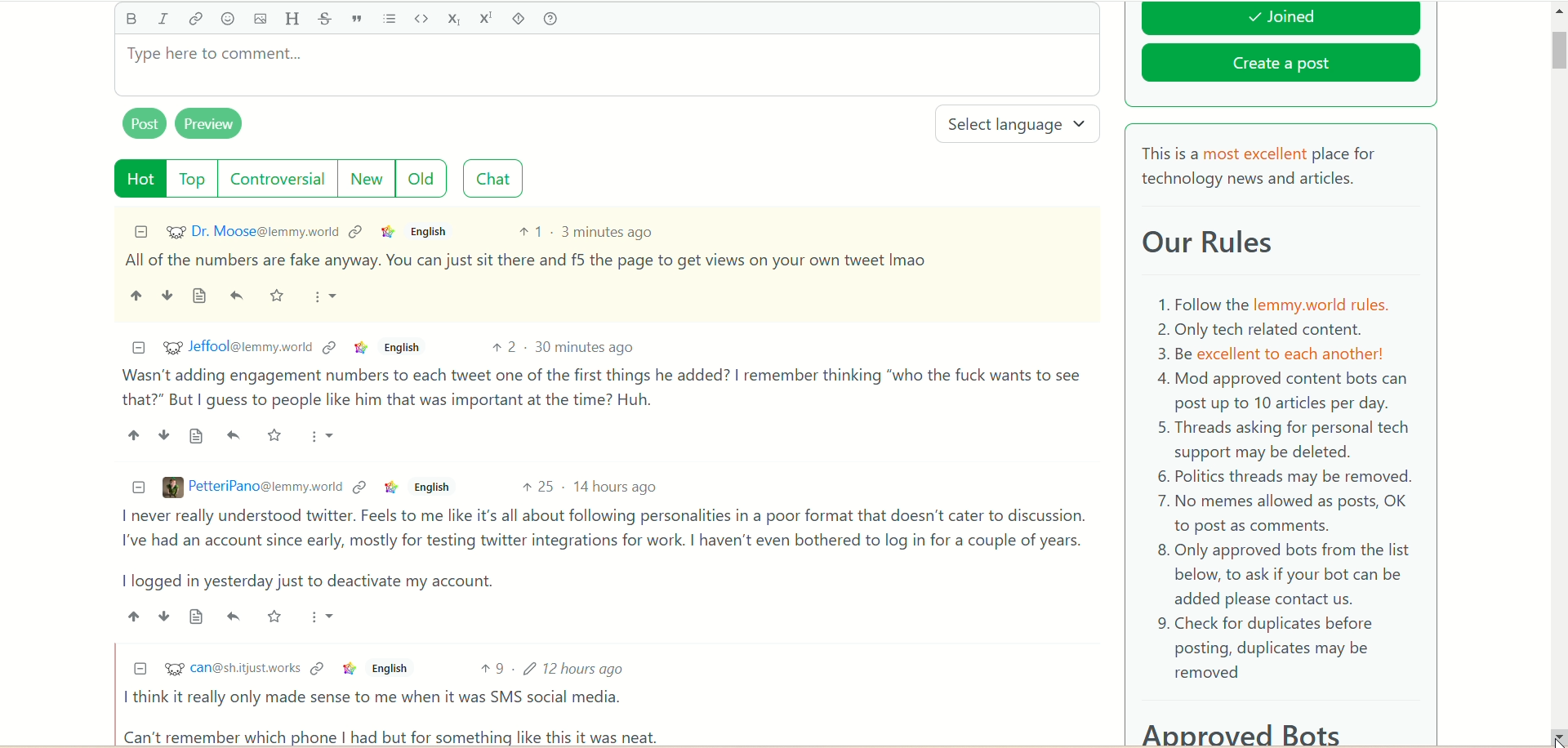 The width and height of the screenshot is (1568, 748). Describe the element at coordinates (145, 122) in the screenshot. I see `post` at that location.